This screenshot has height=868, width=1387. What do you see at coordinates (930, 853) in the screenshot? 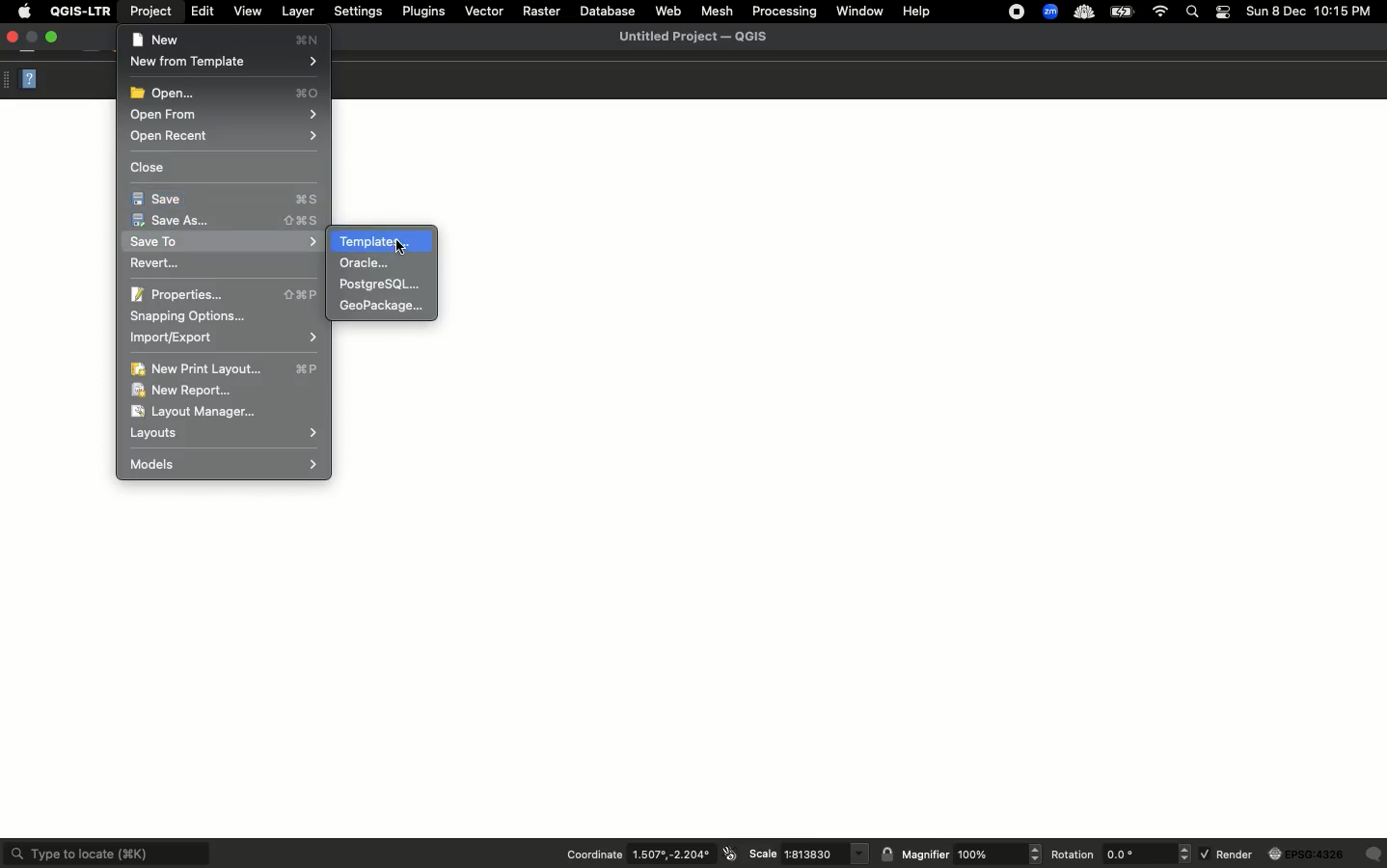
I see `Magnifier` at bounding box center [930, 853].